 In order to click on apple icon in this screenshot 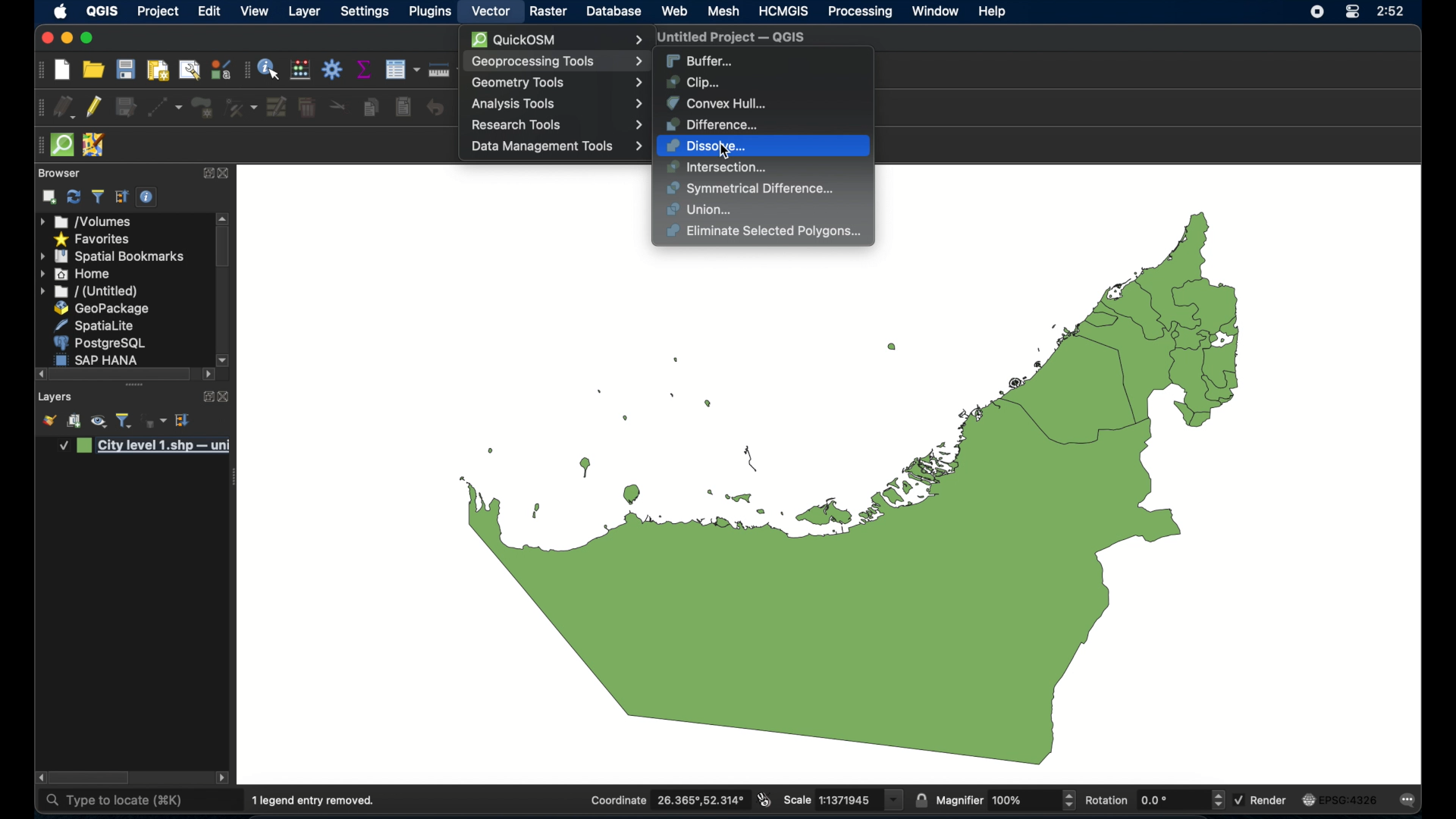, I will do `click(61, 11)`.